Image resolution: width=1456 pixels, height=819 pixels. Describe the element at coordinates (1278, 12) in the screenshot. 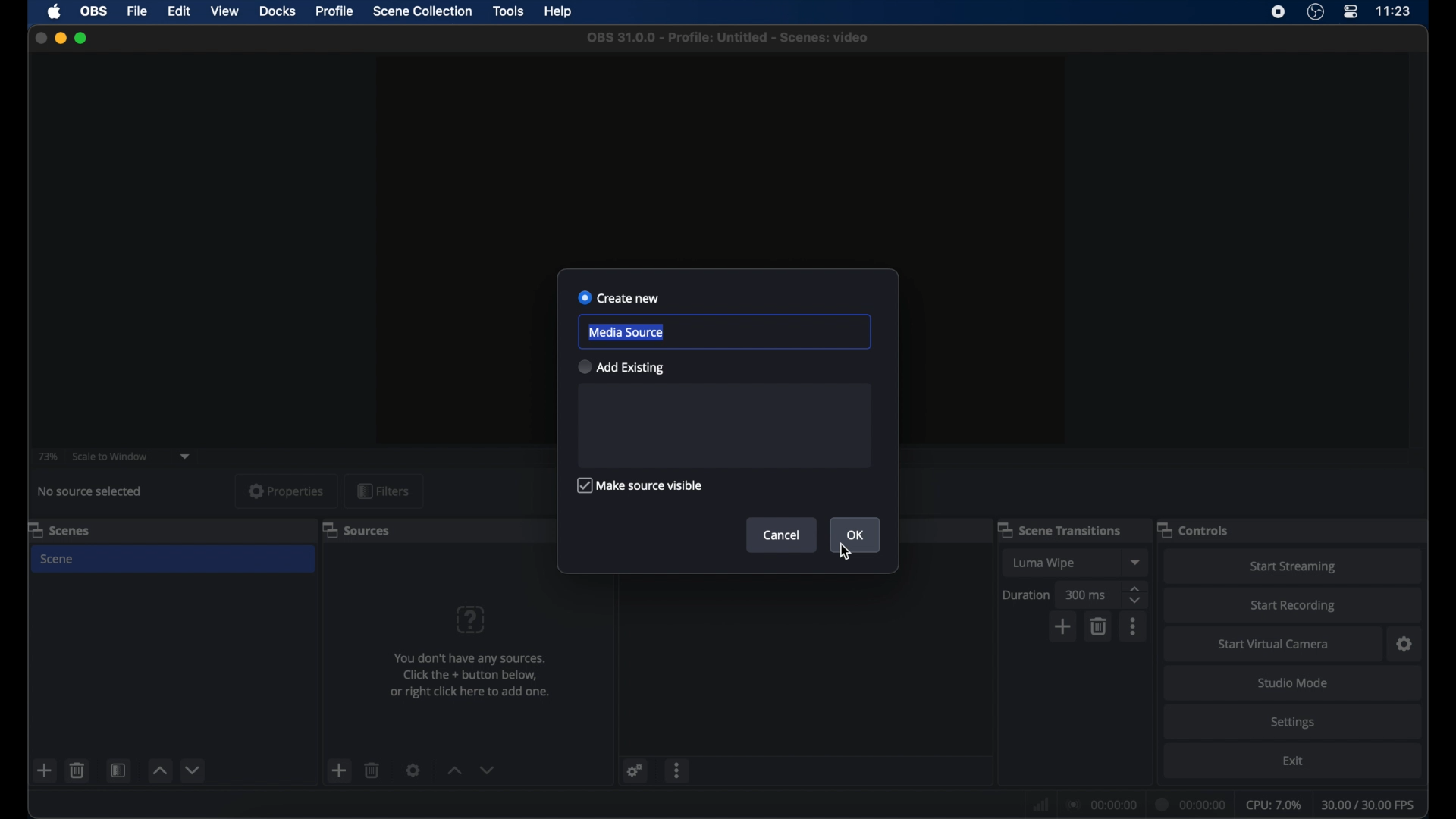

I see `screen recorder icon` at that location.